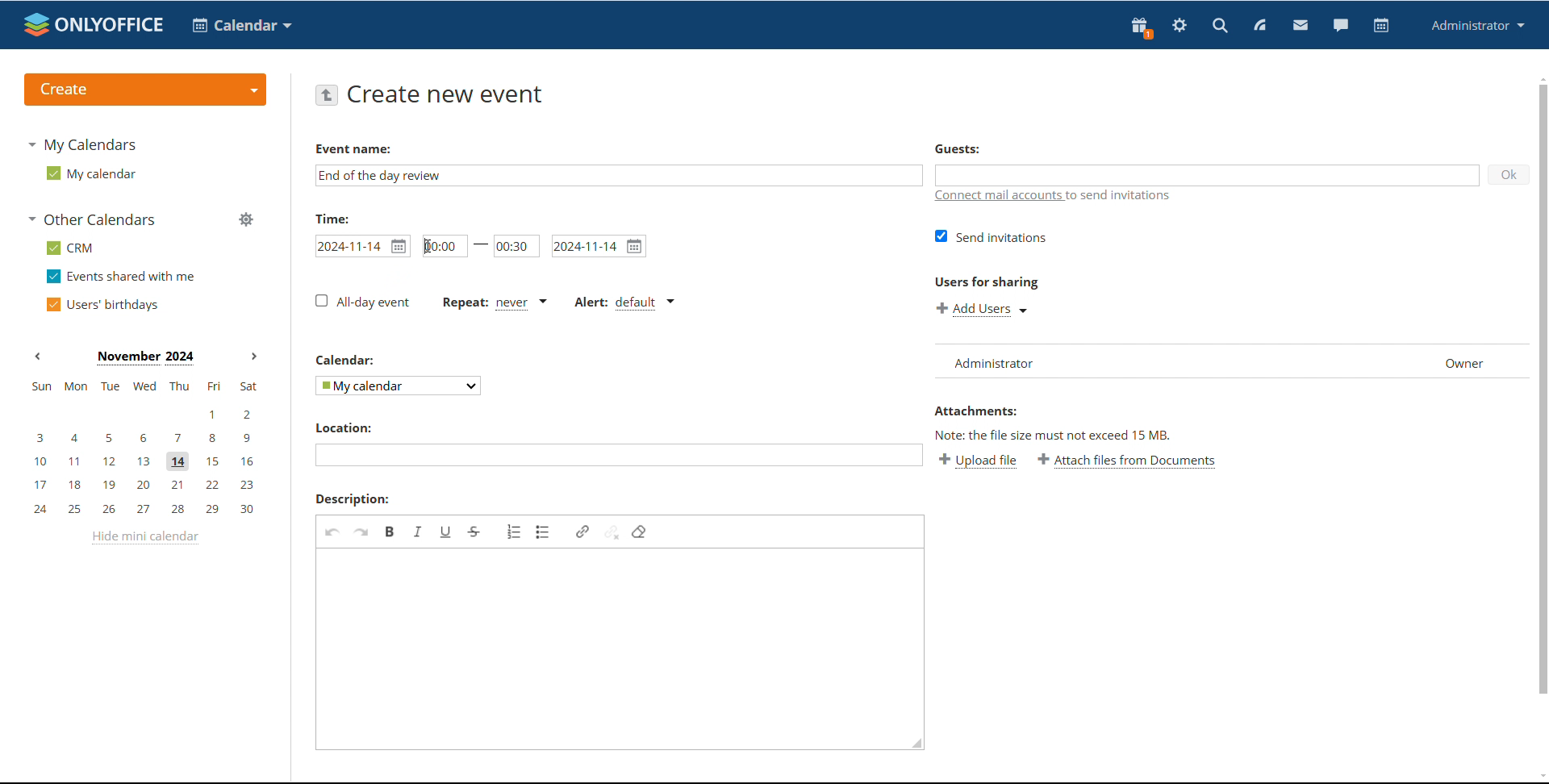  I want to click on sun, mon, tue, wed, thu, fri, sat, so click(143, 386).